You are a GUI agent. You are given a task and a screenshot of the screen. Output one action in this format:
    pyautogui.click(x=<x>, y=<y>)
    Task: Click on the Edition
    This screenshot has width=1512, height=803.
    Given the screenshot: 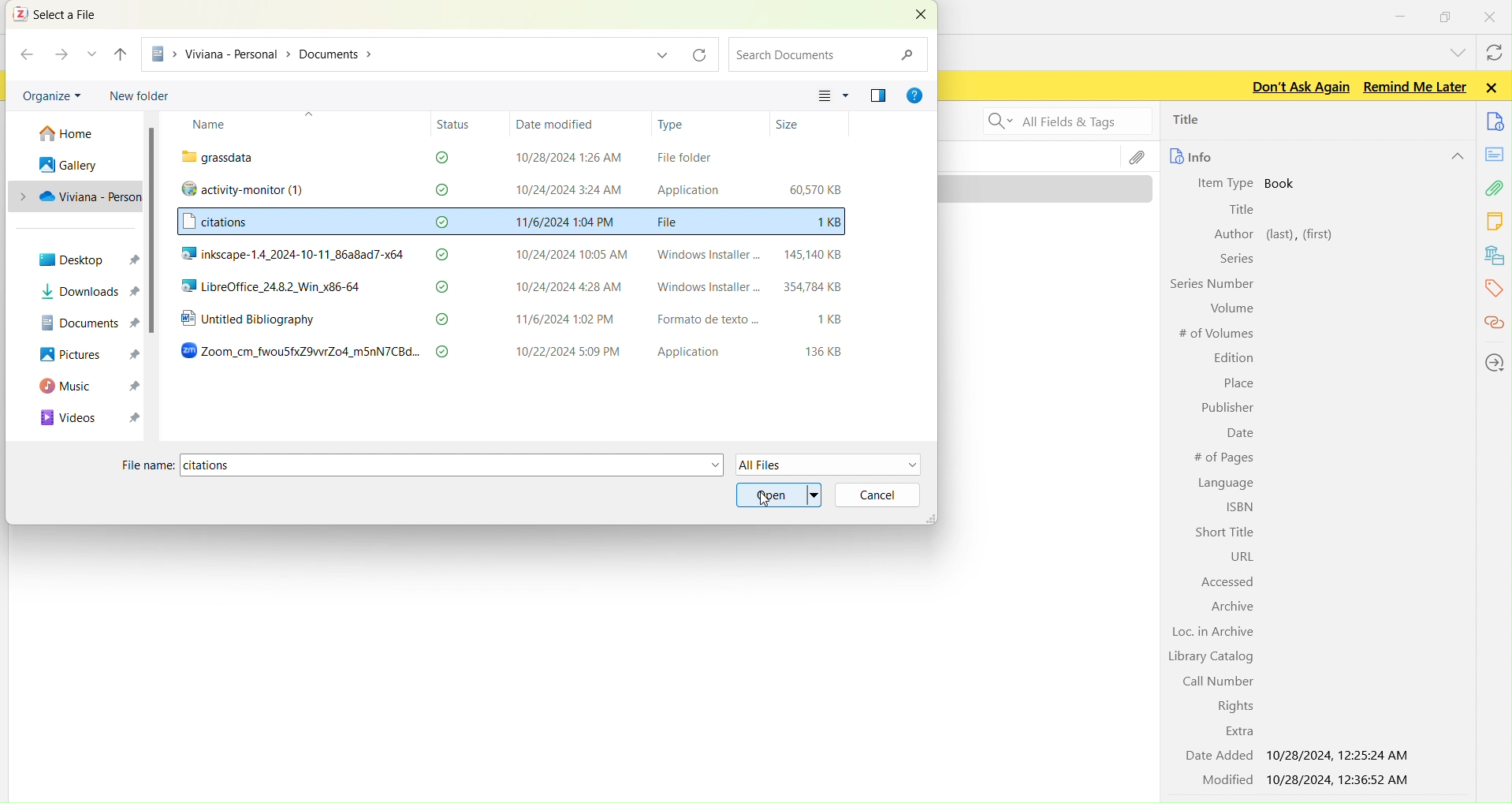 What is the action you would take?
    pyautogui.click(x=1230, y=357)
    